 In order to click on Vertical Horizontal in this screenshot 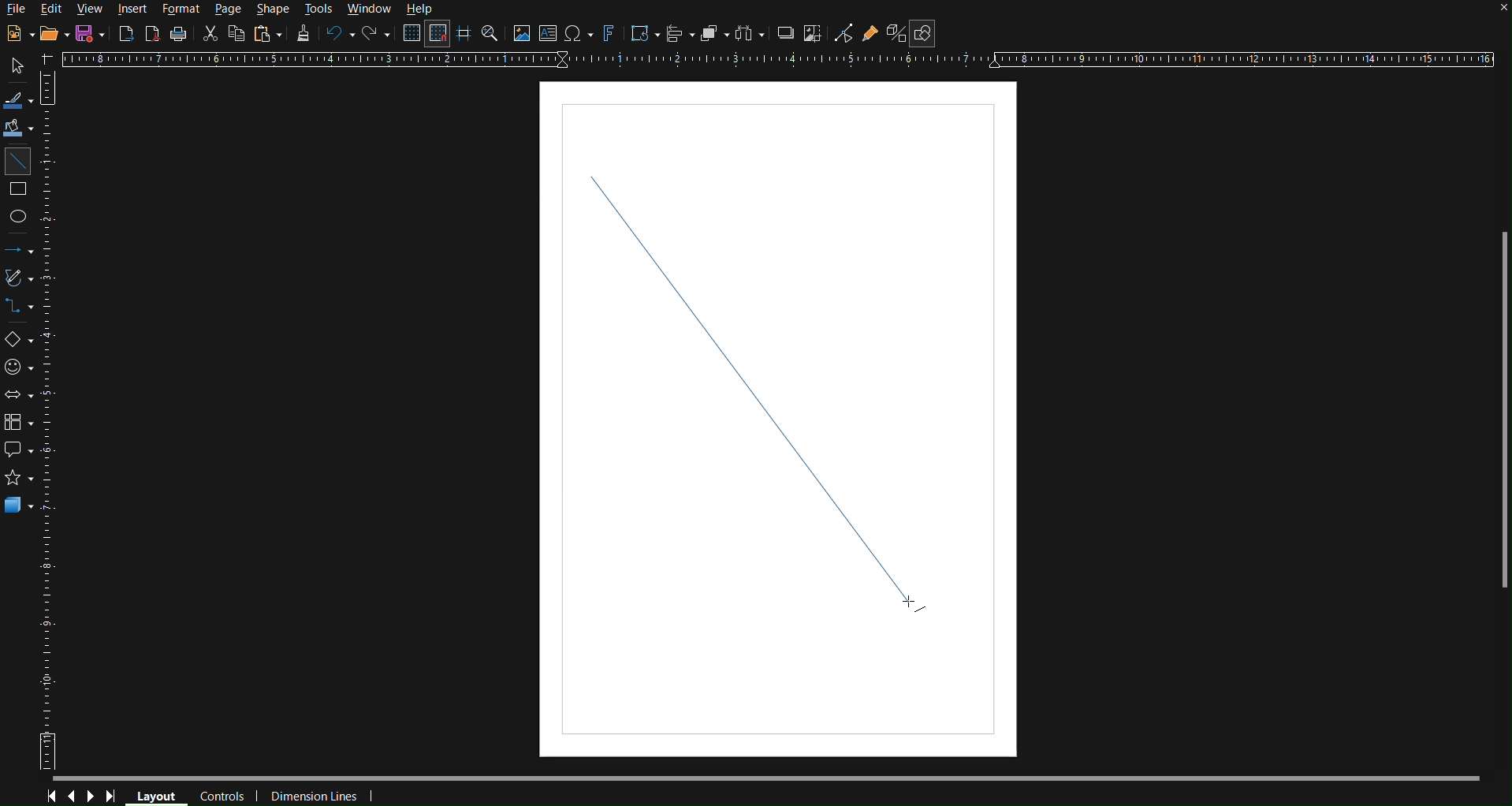, I will do `click(51, 420)`.